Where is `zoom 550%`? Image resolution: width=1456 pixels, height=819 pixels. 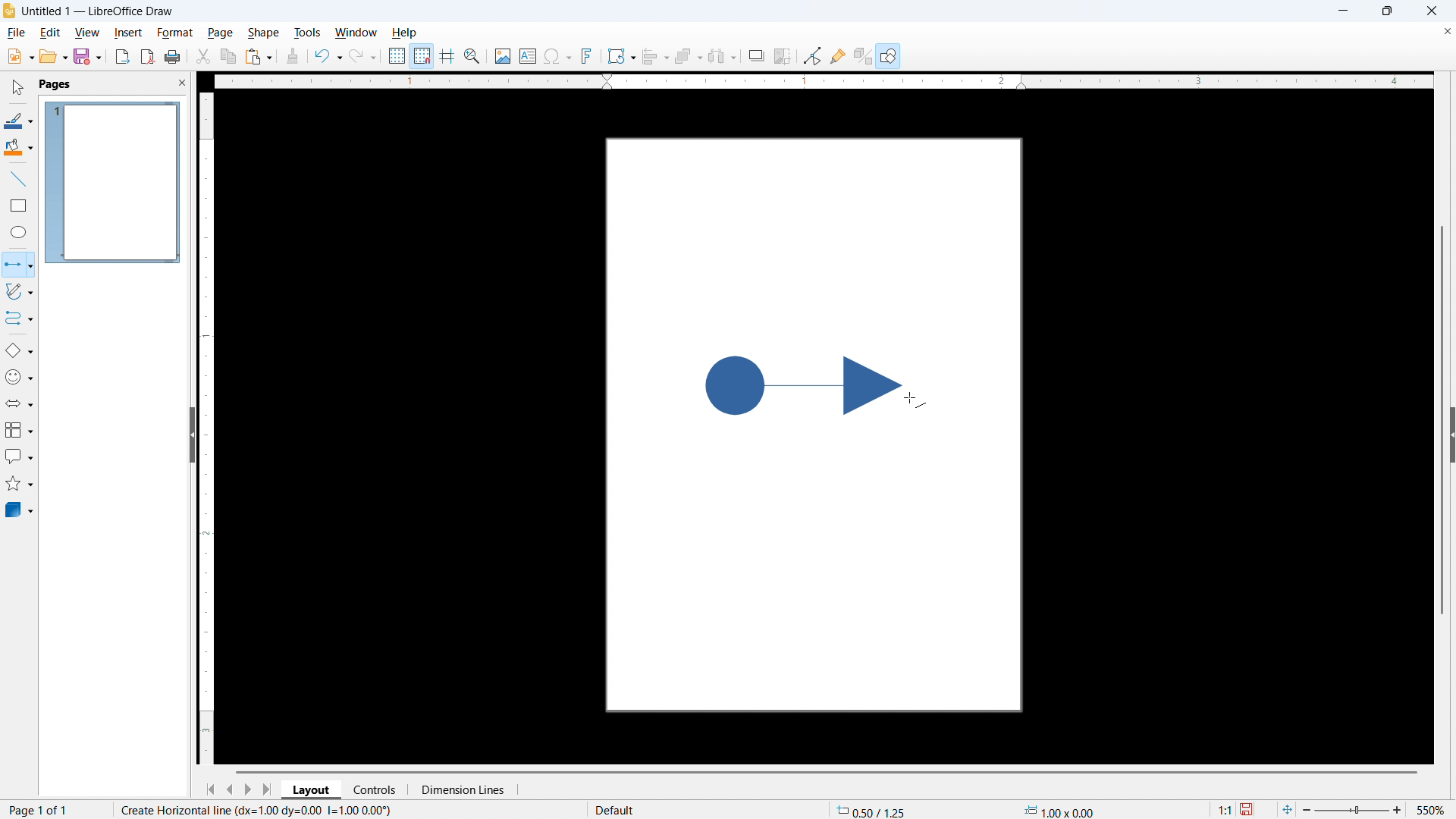 zoom 550% is located at coordinates (1377, 808).